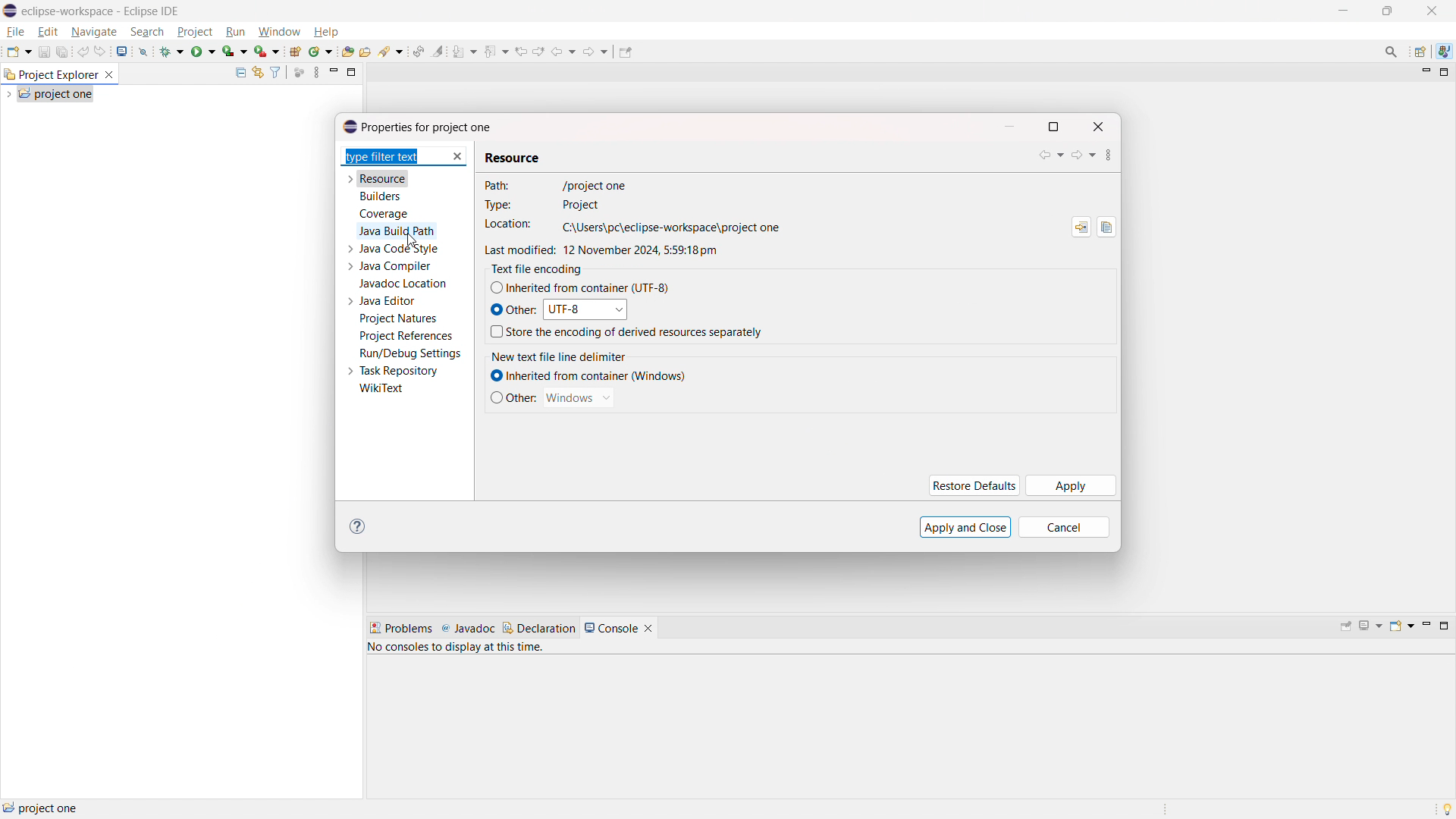  What do you see at coordinates (464, 52) in the screenshot?
I see `next annotation` at bounding box center [464, 52].